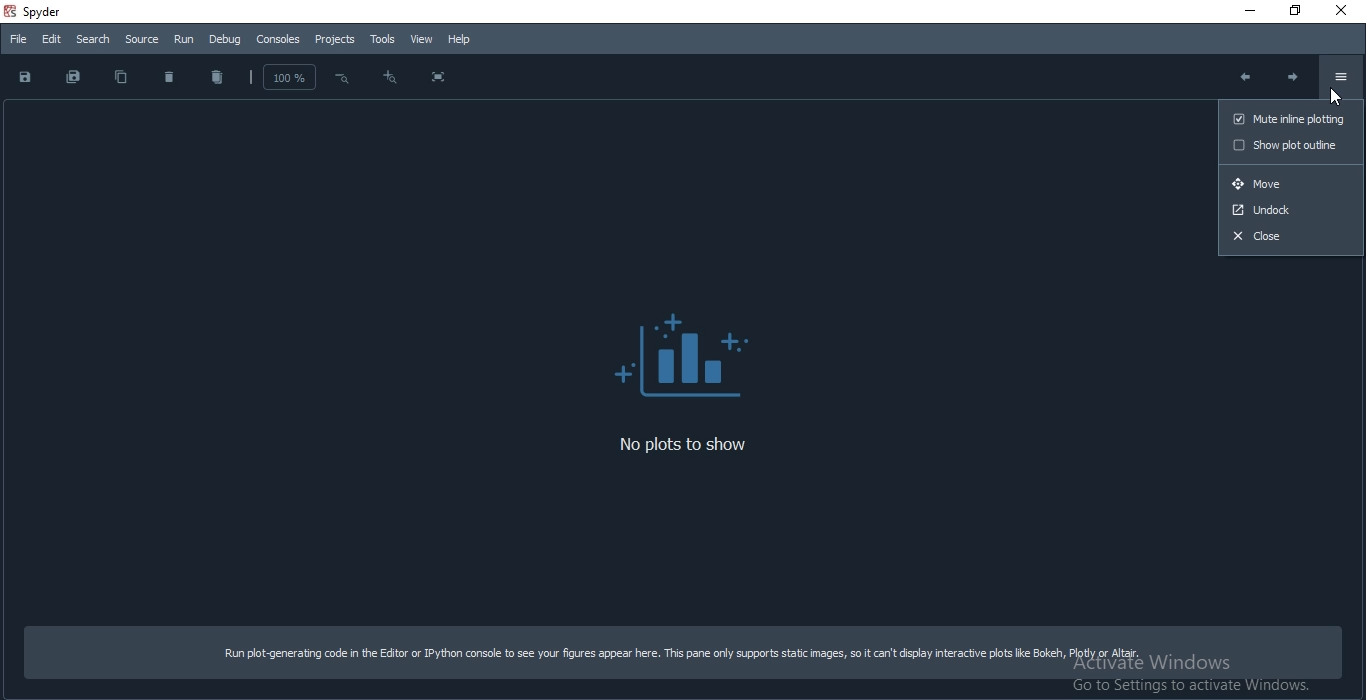 This screenshot has height=700, width=1366. Describe the element at coordinates (183, 40) in the screenshot. I see `Run` at that location.